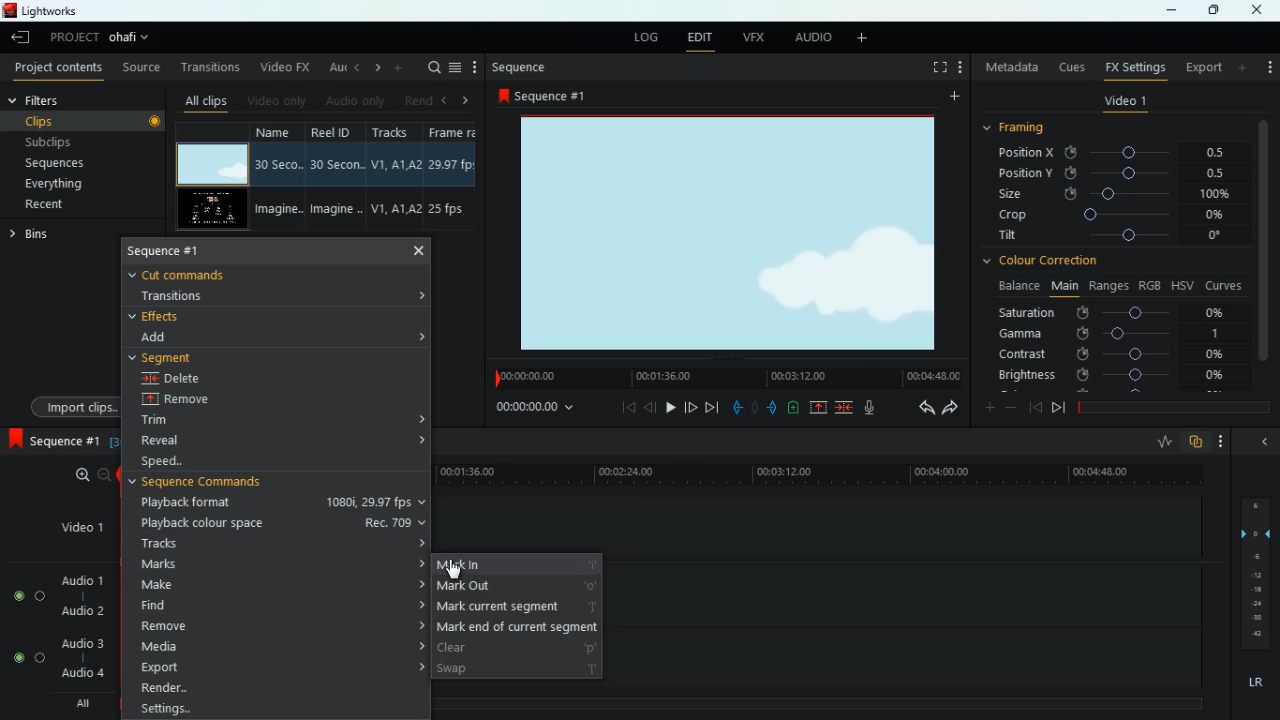 The image size is (1280, 720). What do you see at coordinates (1068, 68) in the screenshot?
I see `cues` at bounding box center [1068, 68].